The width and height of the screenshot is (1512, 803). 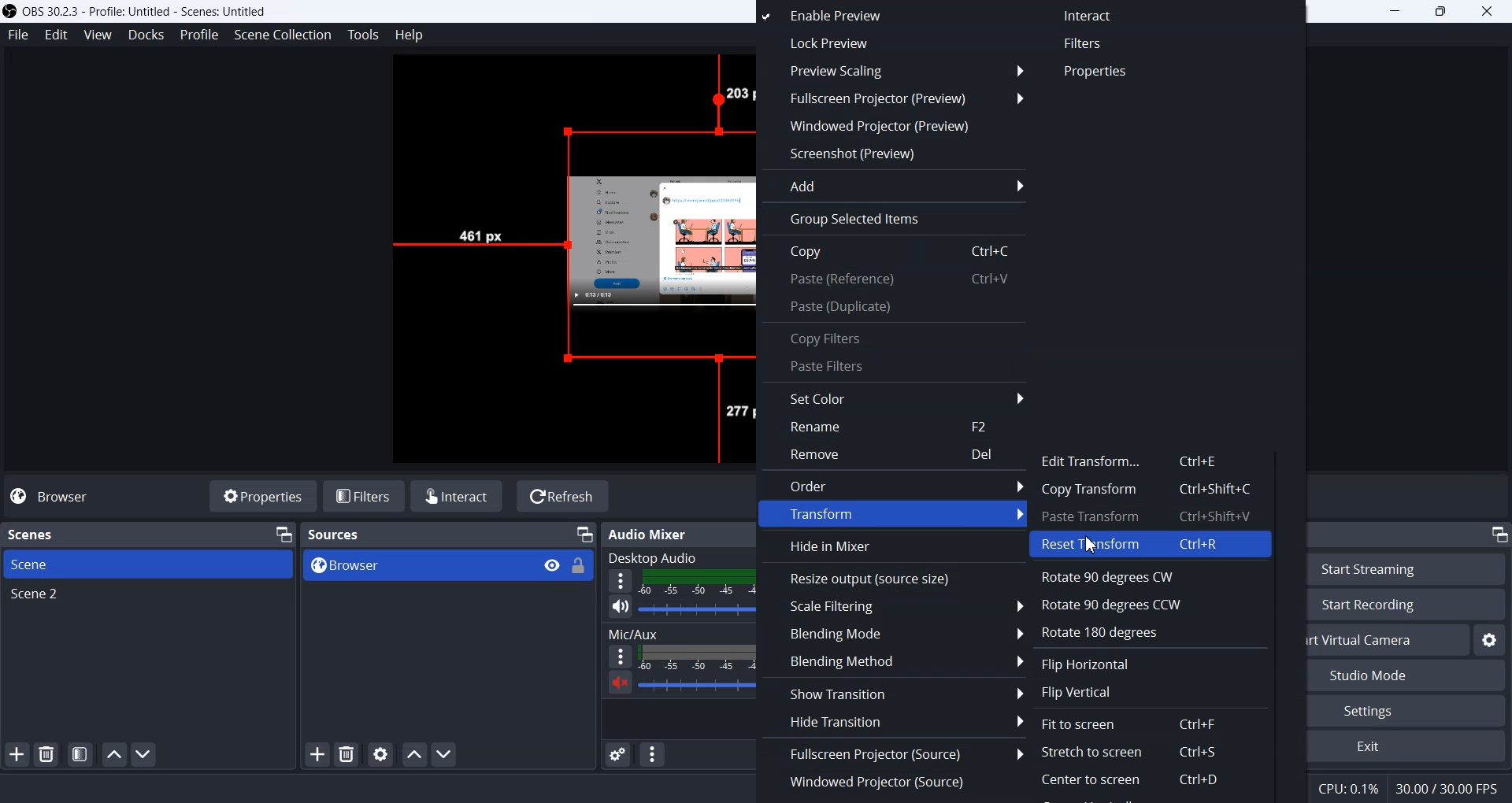 What do you see at coordinates (1394, 11) in the screenshot?
I see `Minimize` at bounding box center [1394, 11].